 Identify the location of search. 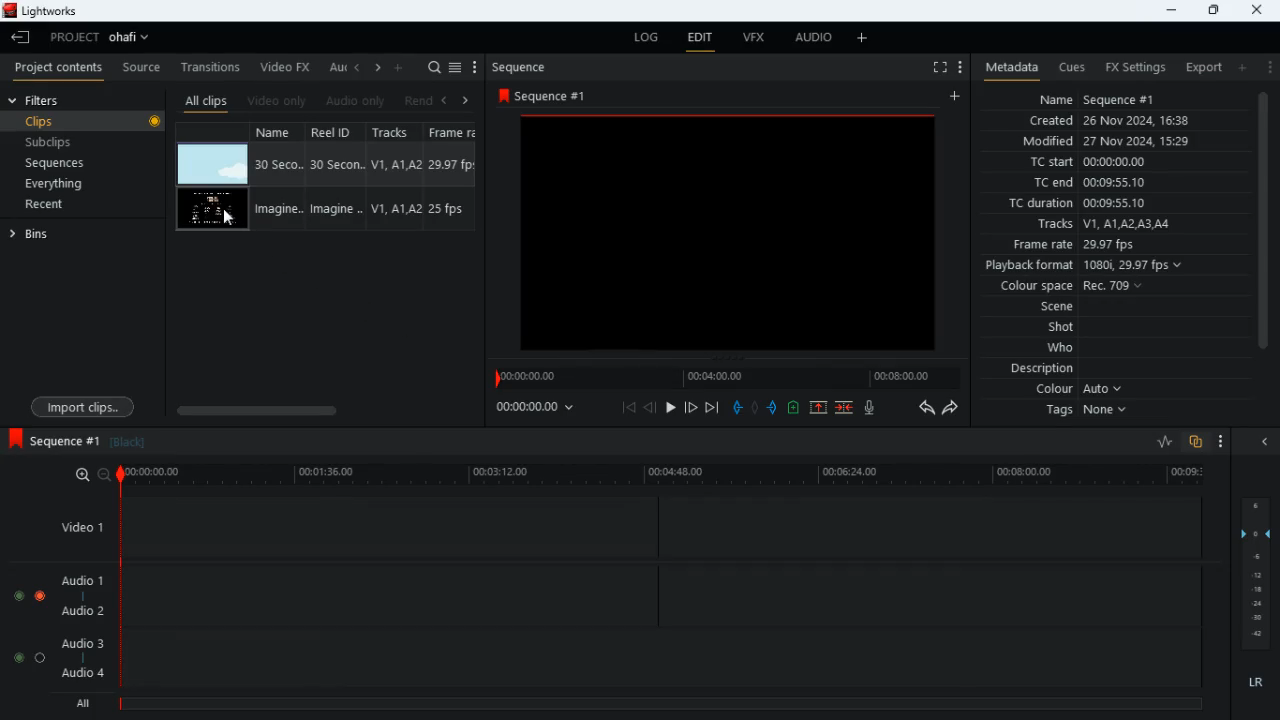
(434, 68).